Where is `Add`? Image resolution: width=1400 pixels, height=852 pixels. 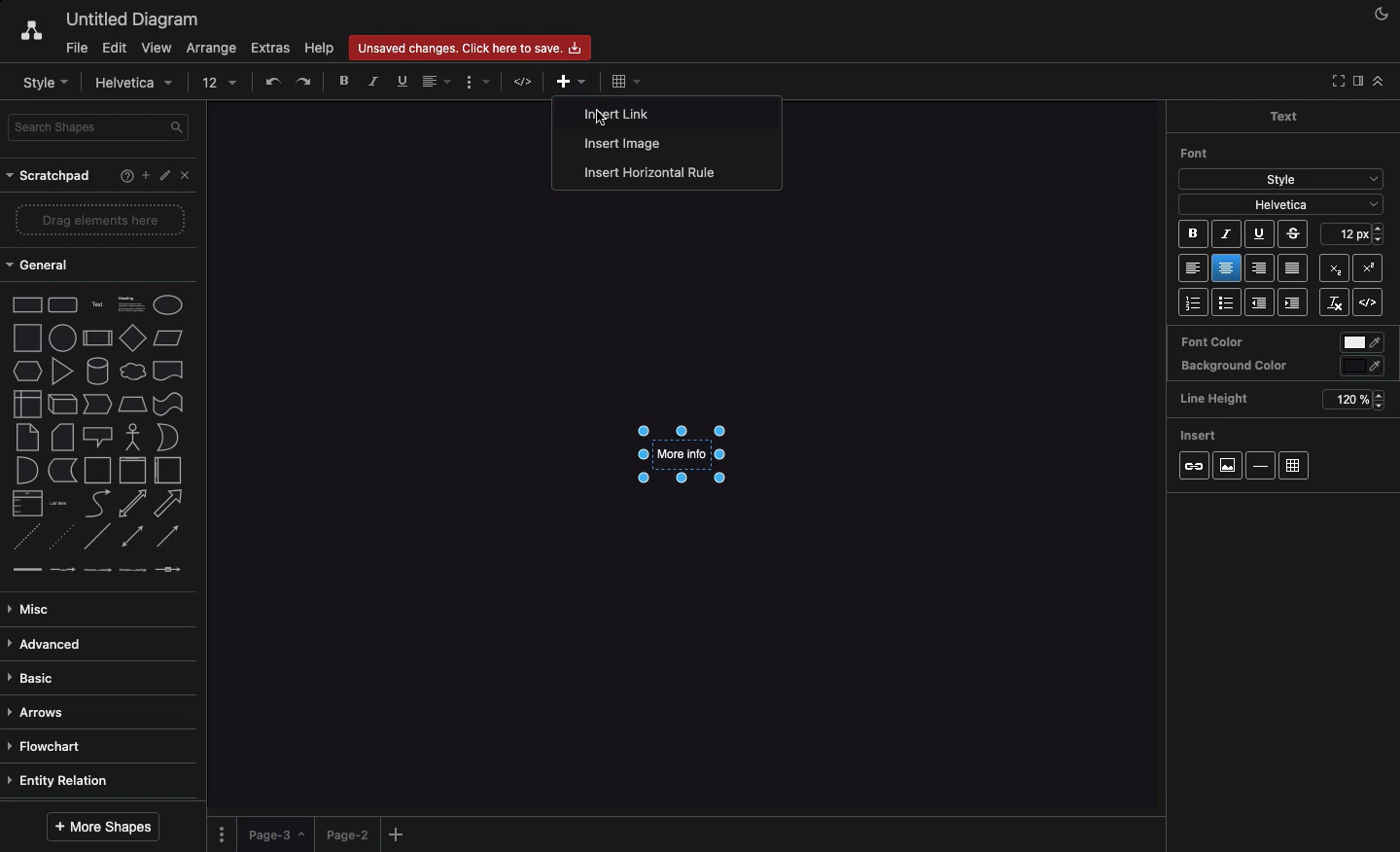
Add is located at coordinates (400, 834).